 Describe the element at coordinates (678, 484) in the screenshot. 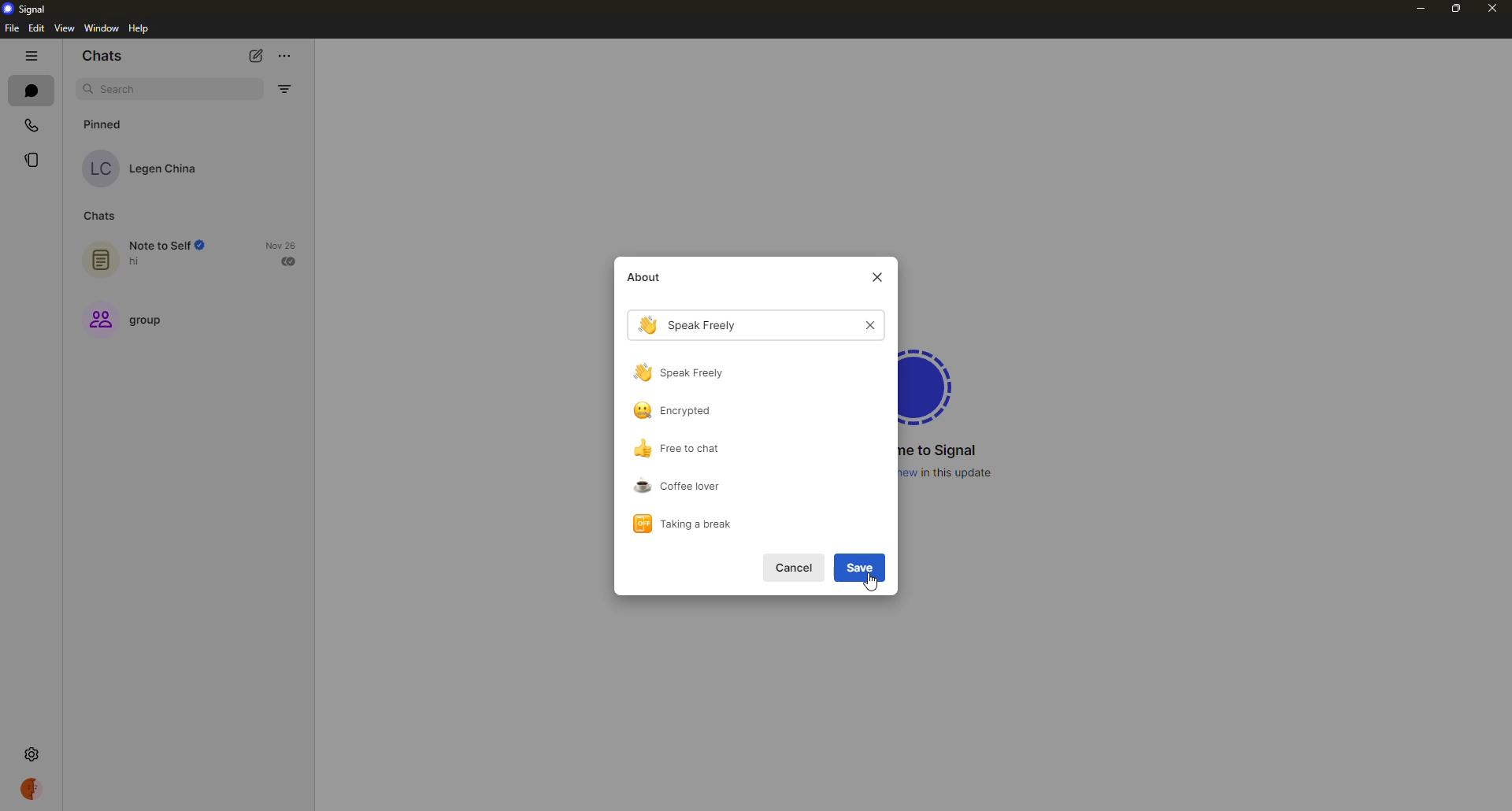

I see `coffee lover` at that location.